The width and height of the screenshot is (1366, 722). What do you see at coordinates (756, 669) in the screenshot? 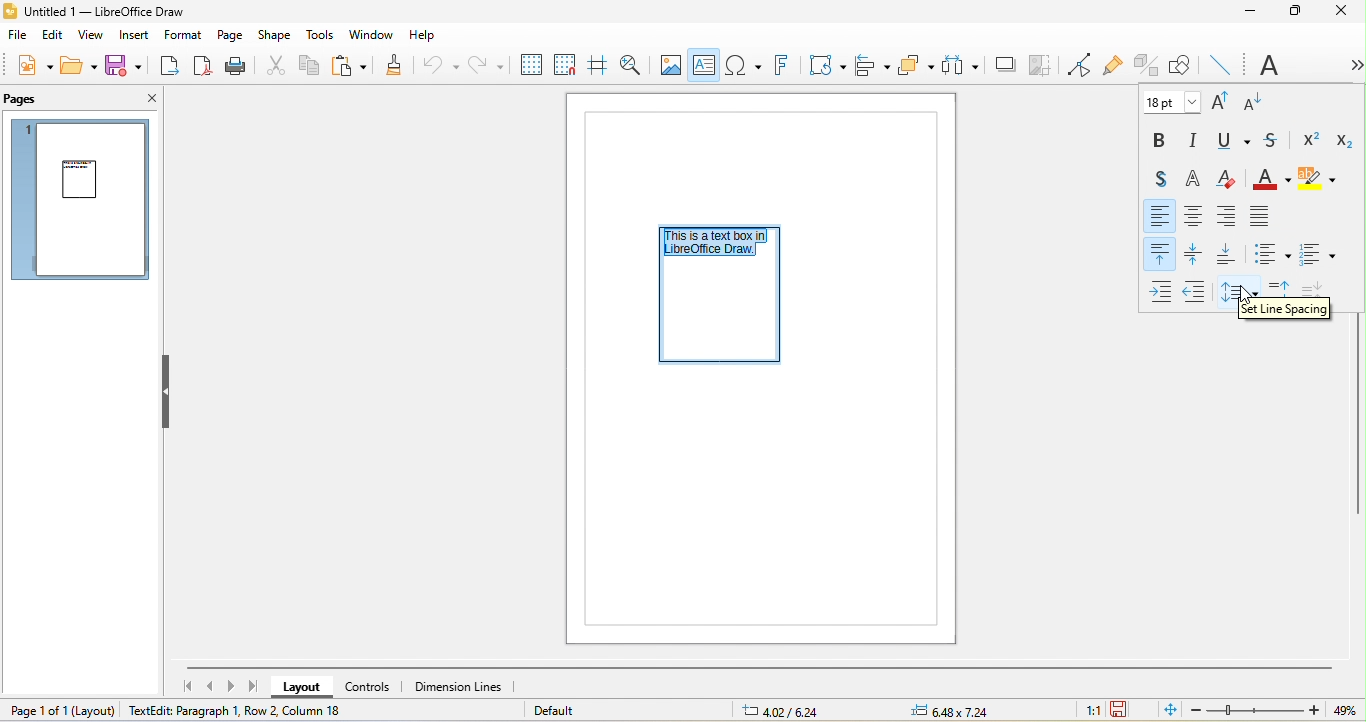
I see `horizontal scroll bar` at bounding box center [756, 669].